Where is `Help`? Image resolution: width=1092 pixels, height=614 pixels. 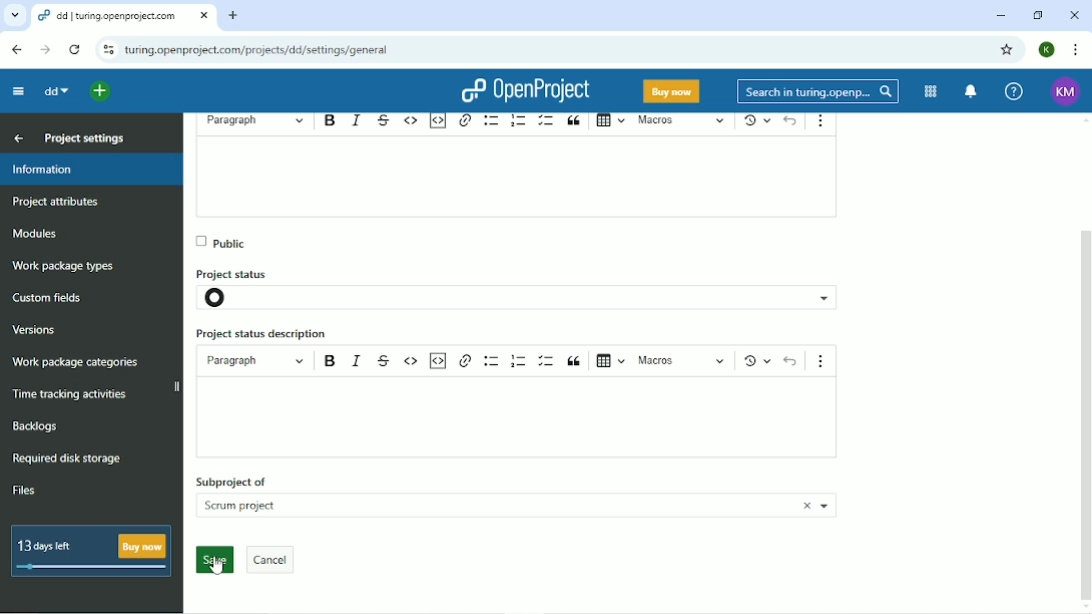 Help is located at coordinates (1014, 91).